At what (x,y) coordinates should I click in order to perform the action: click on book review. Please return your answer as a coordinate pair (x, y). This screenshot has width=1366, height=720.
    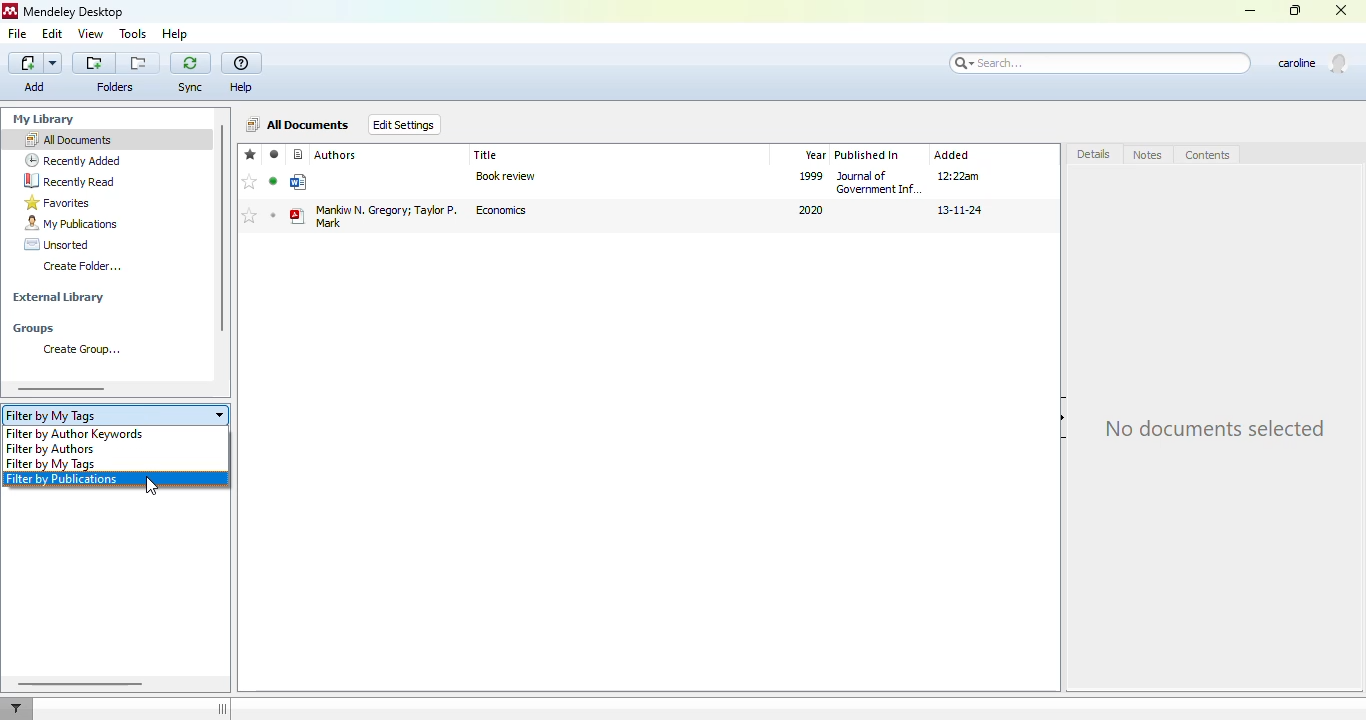
    Looking at the image, I should click on (505, 176).